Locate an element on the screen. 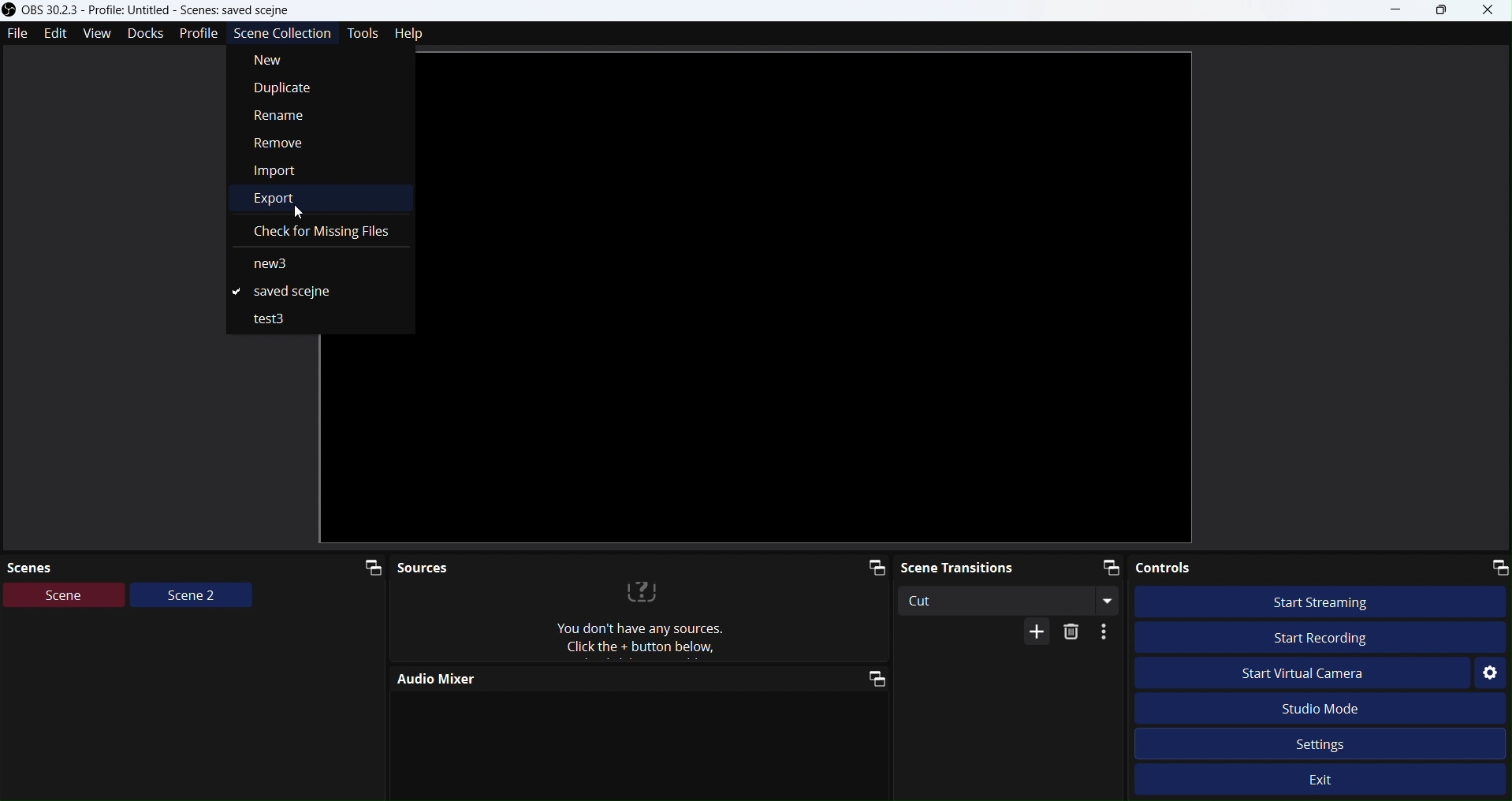 Image resolution: width=1512 pixels, height=801 pixels. Delete is located at coordinates (1071, 633).